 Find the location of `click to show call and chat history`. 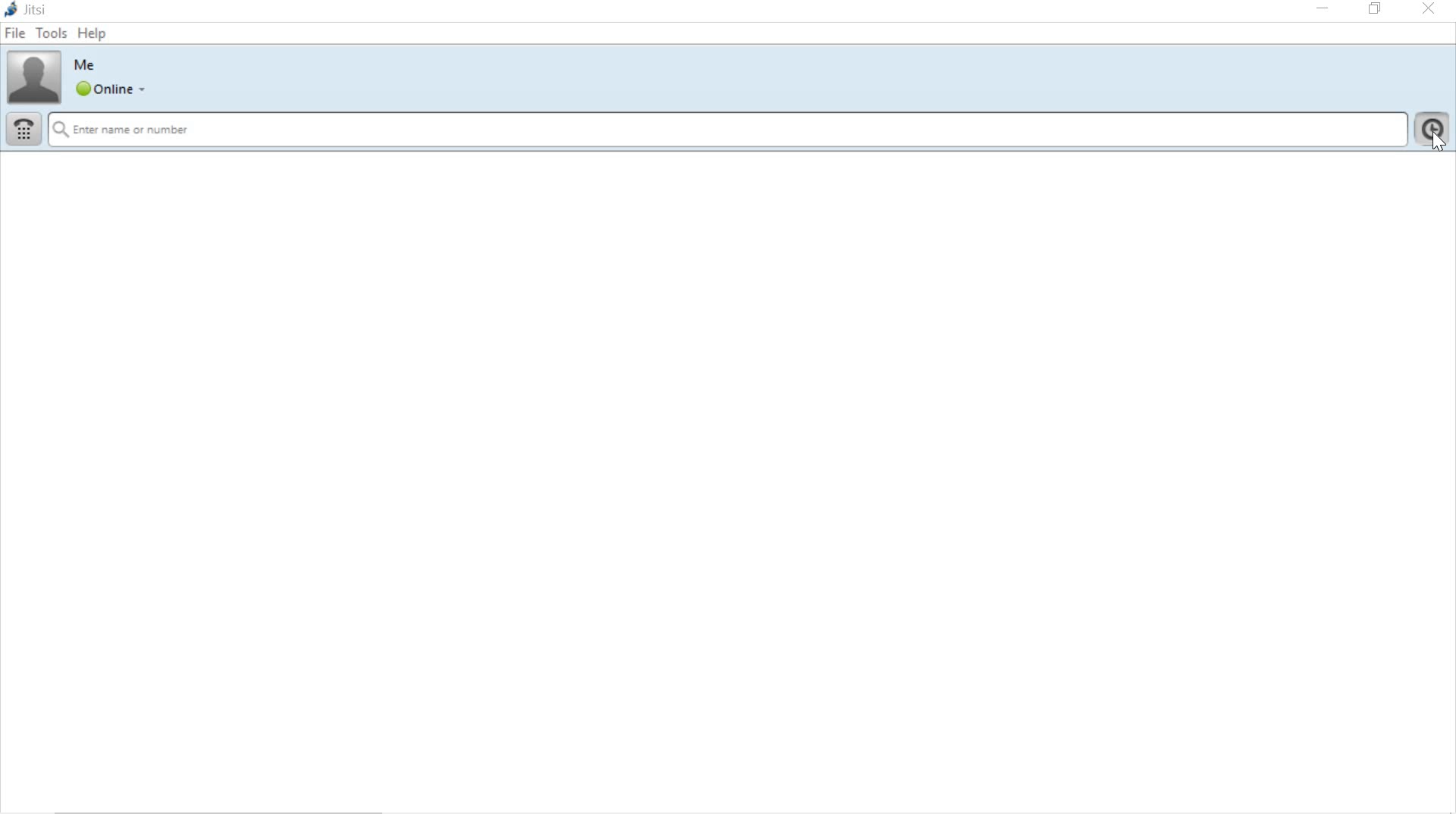

click to show call and chat history is located at coordinates (1434, 133).